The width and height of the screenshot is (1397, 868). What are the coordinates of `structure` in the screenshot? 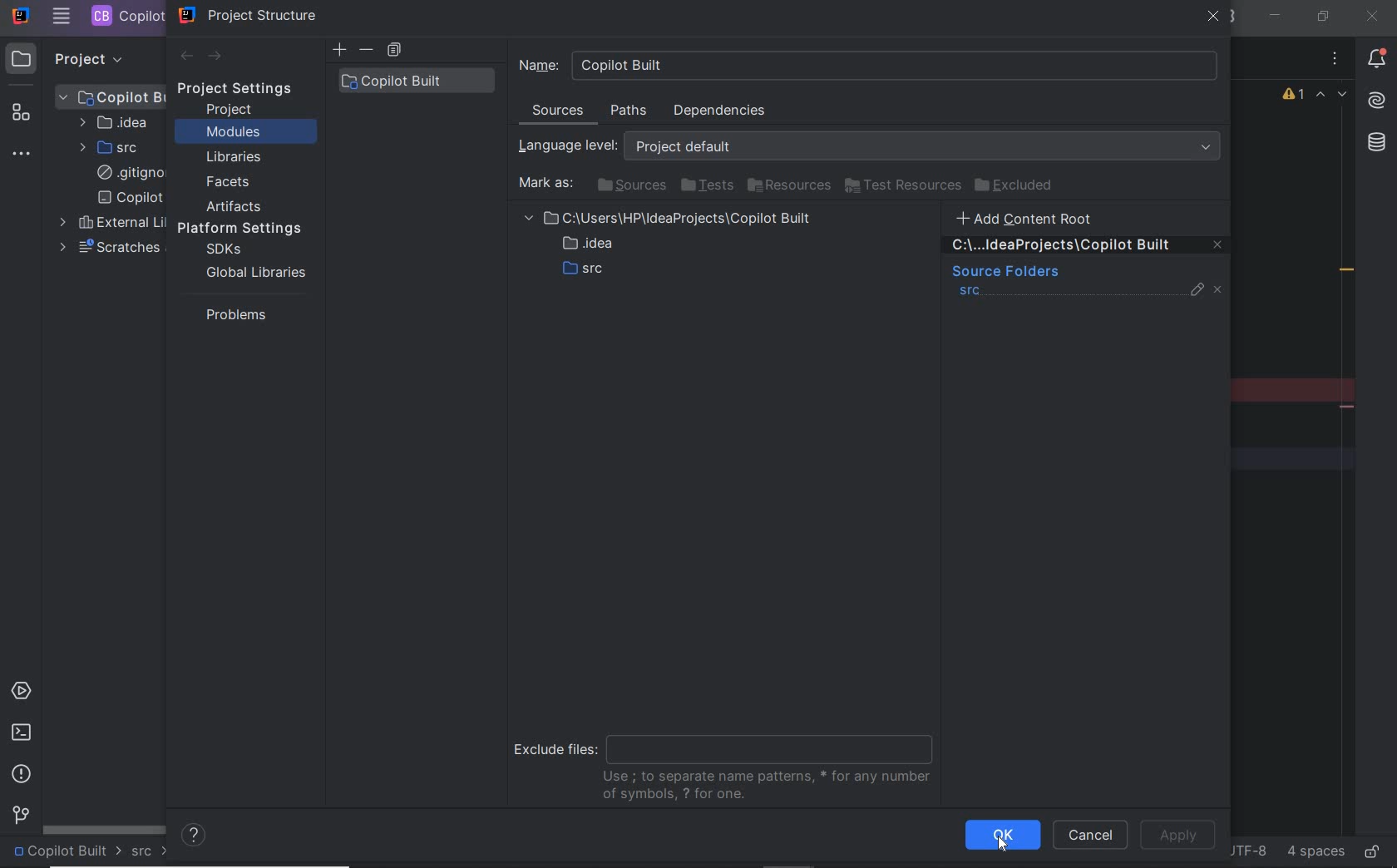 It's located at (23, 116).